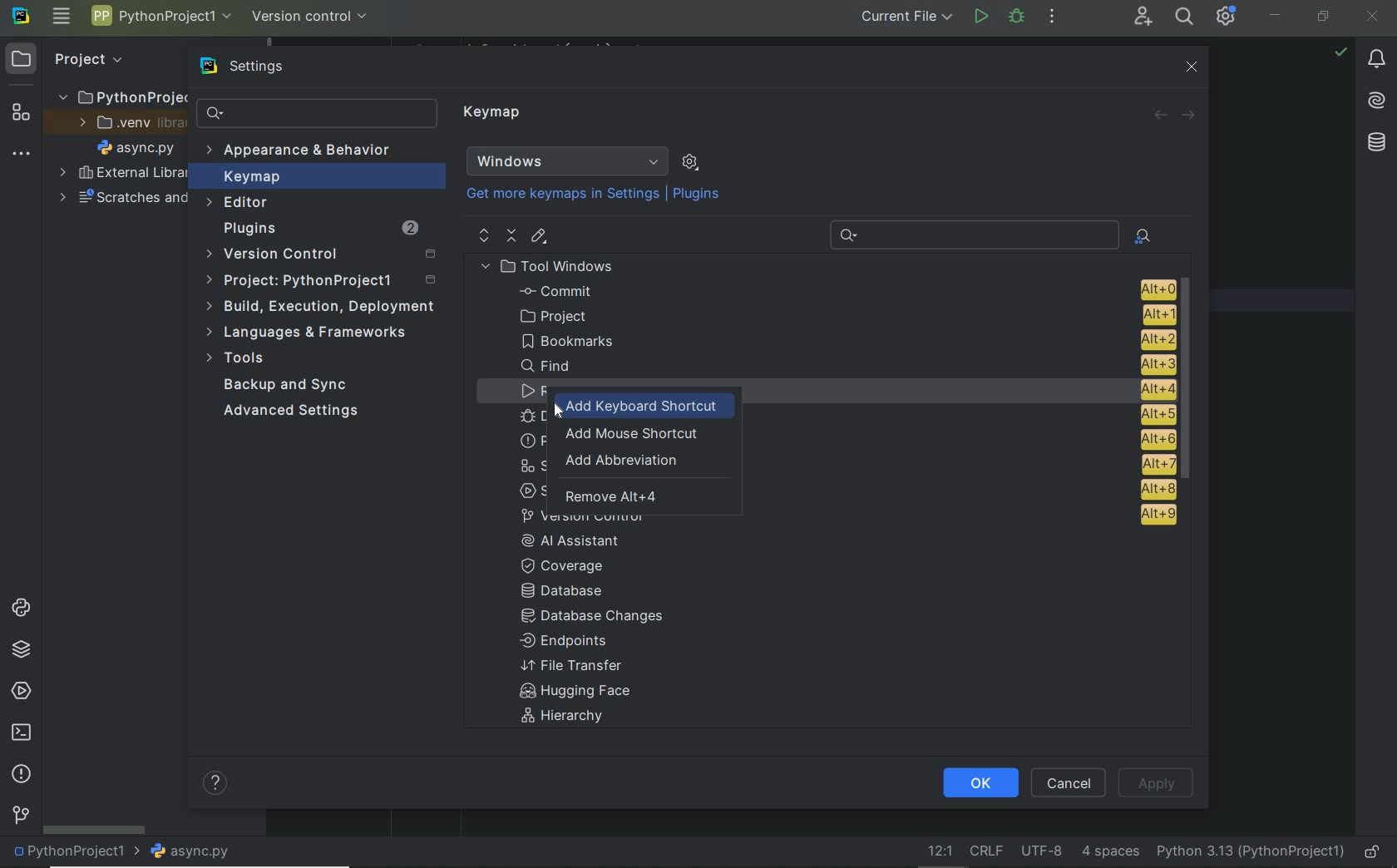 The height and width of the screenshot is (868, 1397). What do you see at coordinates (1155, 415) in the screenshot?
I see `alt + 5` at bounding box center [1155, 415].